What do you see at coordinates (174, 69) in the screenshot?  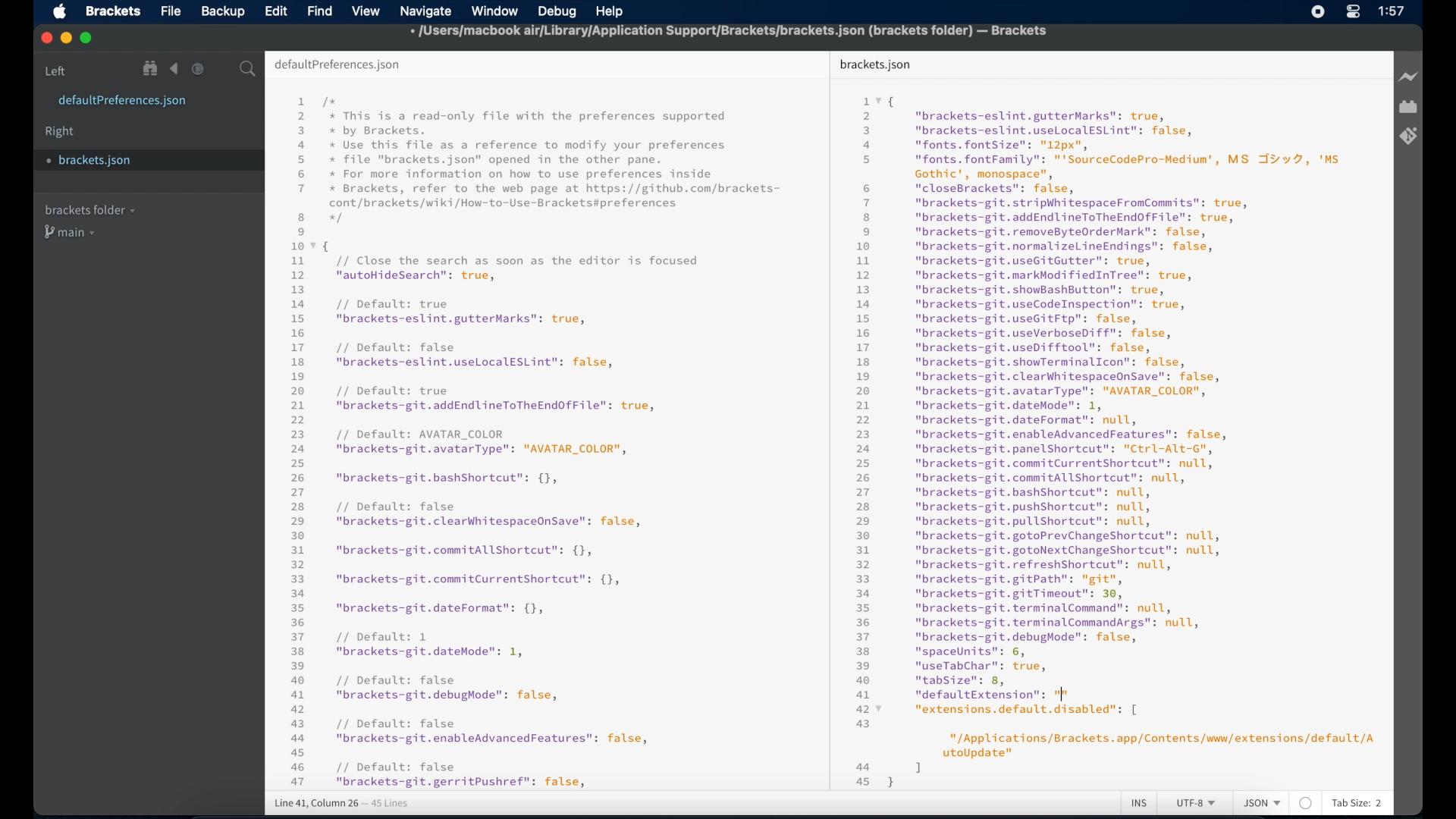 I see `navigate backward` at bounding box center [174, 69].